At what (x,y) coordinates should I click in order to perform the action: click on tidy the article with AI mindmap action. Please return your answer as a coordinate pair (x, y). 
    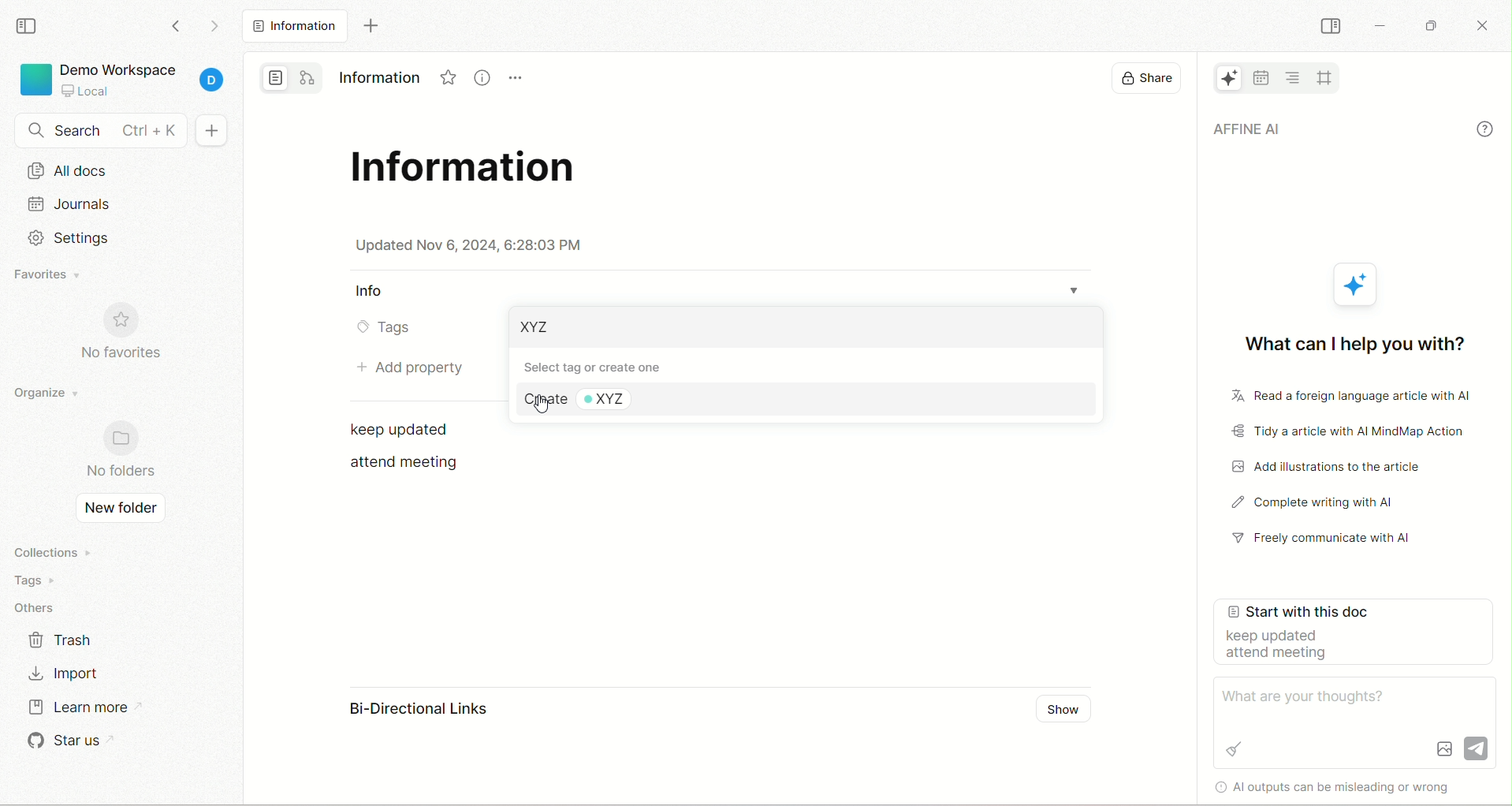
    Looking at the image, I should click on (1350, 433).